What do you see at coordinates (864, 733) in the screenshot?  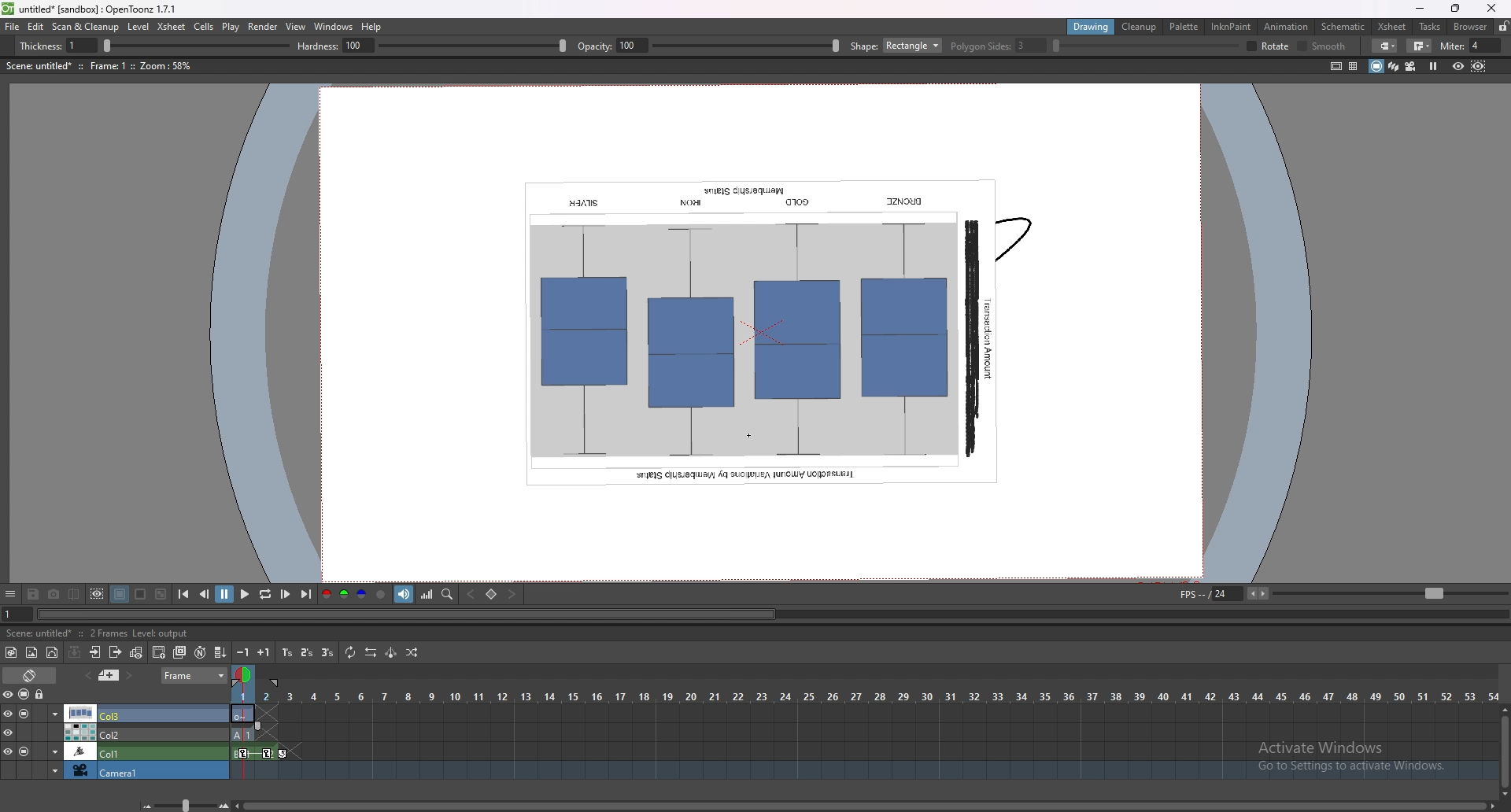 I see `timeline` at bounding box center [864, 733].